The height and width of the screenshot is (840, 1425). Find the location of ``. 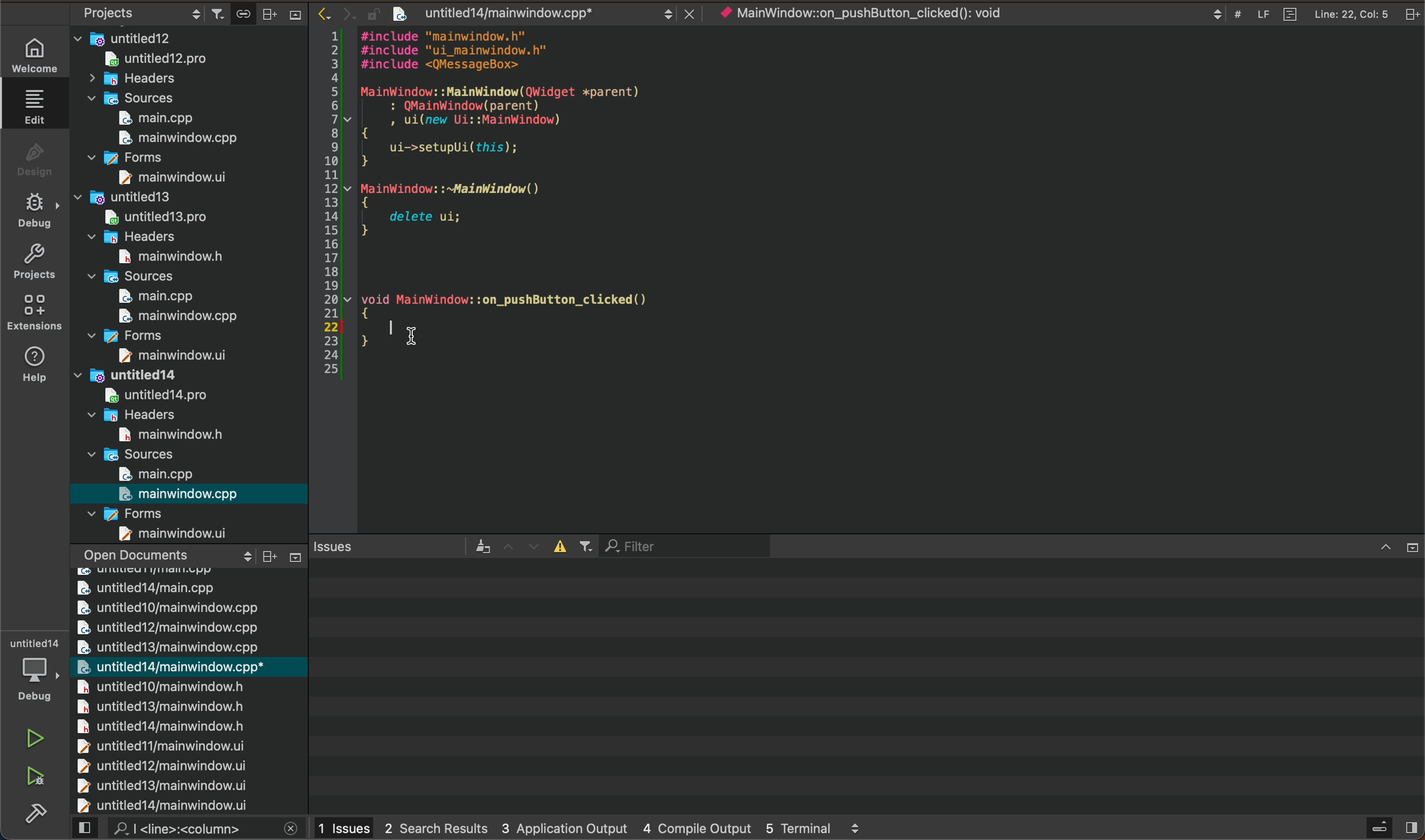

 is located at coordinates (284, 554).